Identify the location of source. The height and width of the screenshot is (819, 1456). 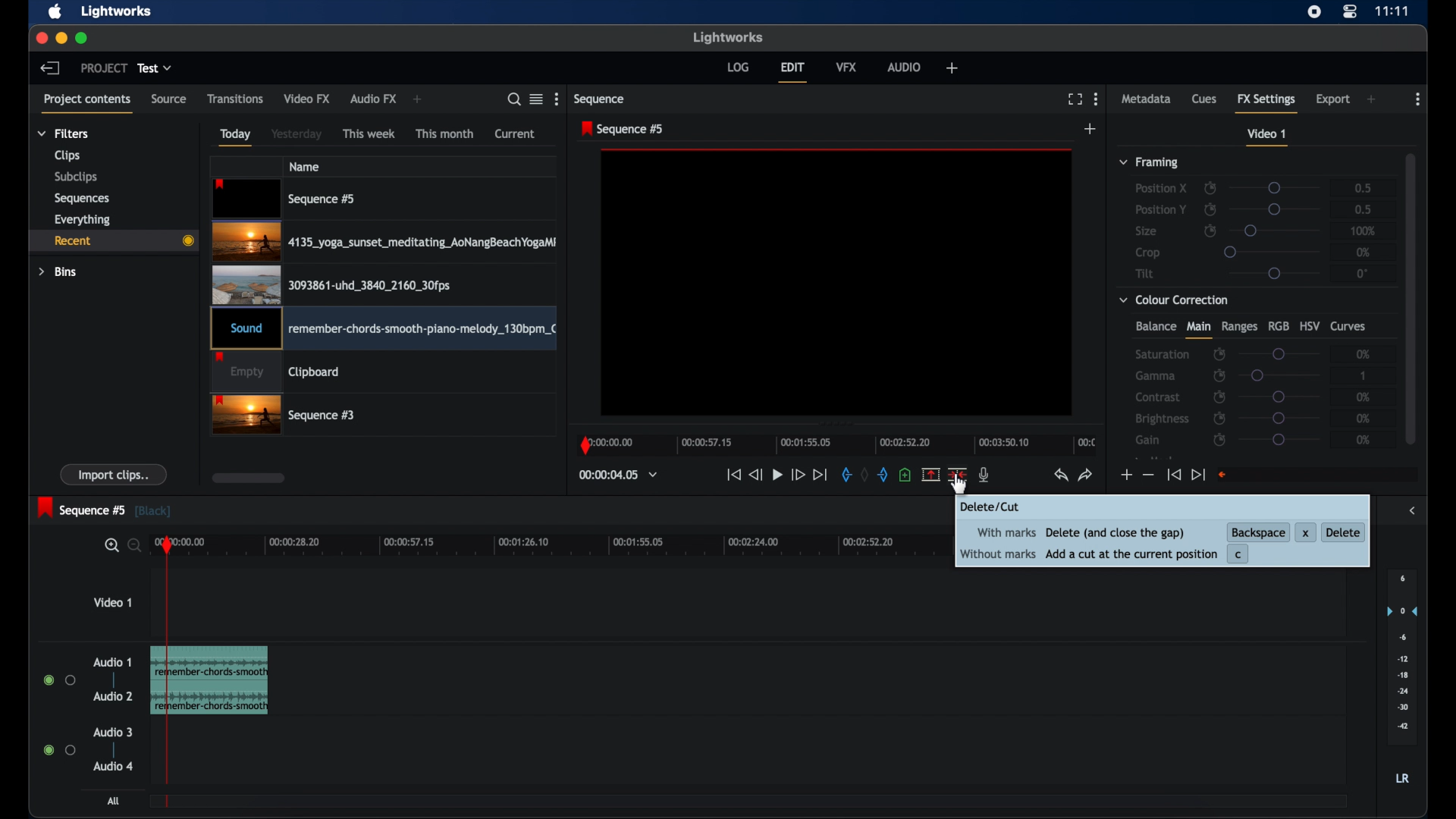
(169, 99).